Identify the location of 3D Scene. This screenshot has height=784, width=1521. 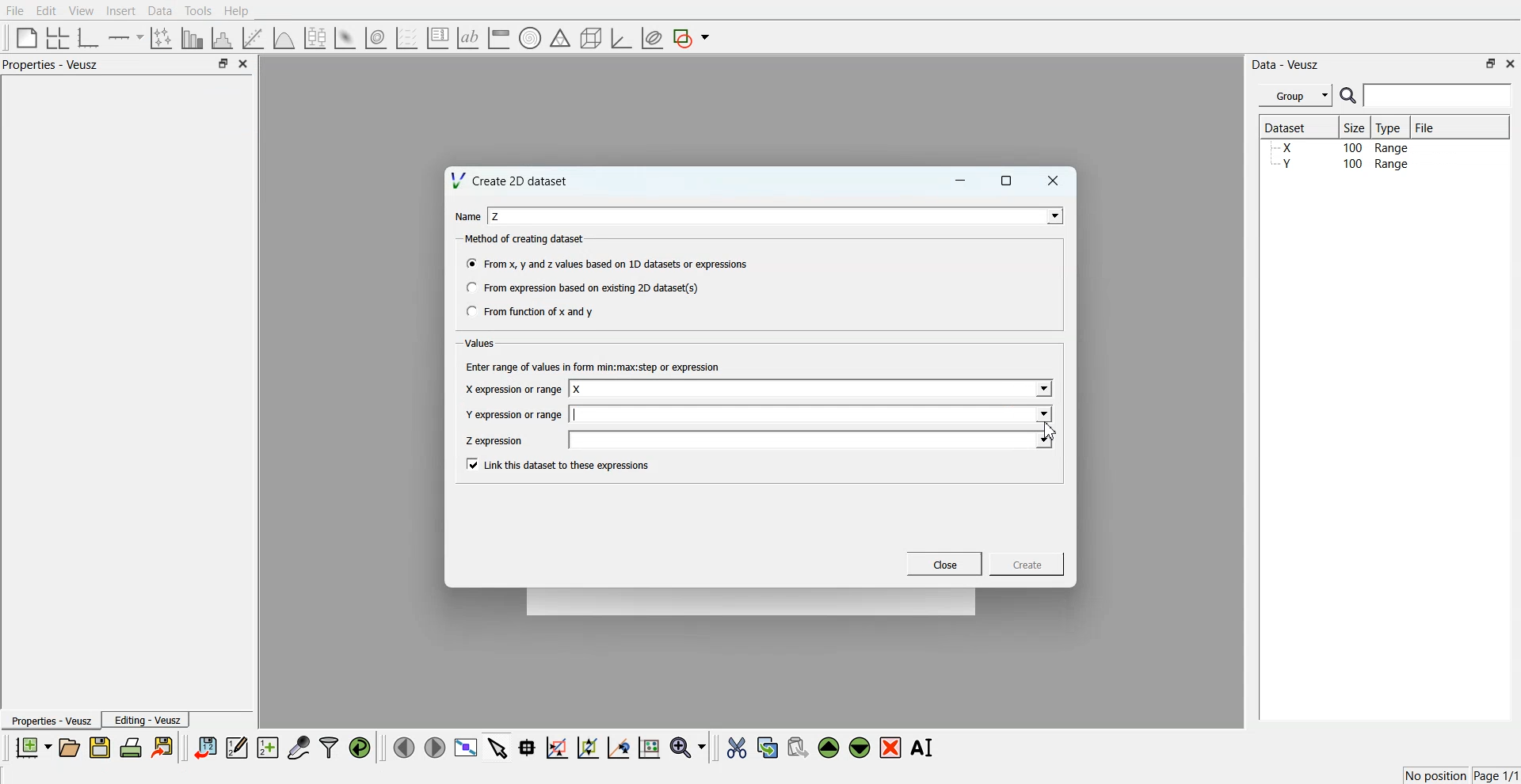
(592, 39).